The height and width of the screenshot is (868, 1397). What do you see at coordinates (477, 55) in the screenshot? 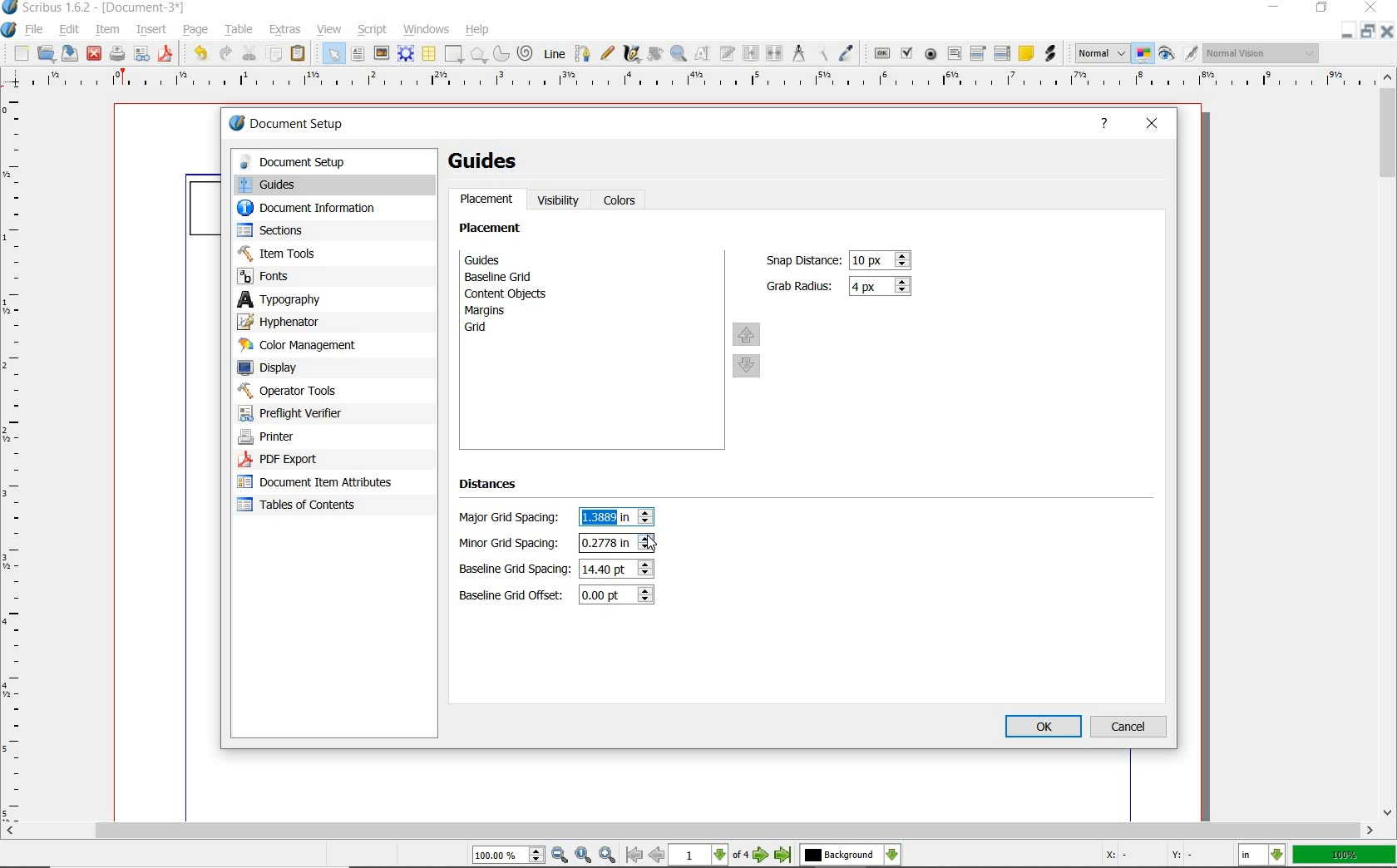
I see `polygon` at bounding box center [477, 55].